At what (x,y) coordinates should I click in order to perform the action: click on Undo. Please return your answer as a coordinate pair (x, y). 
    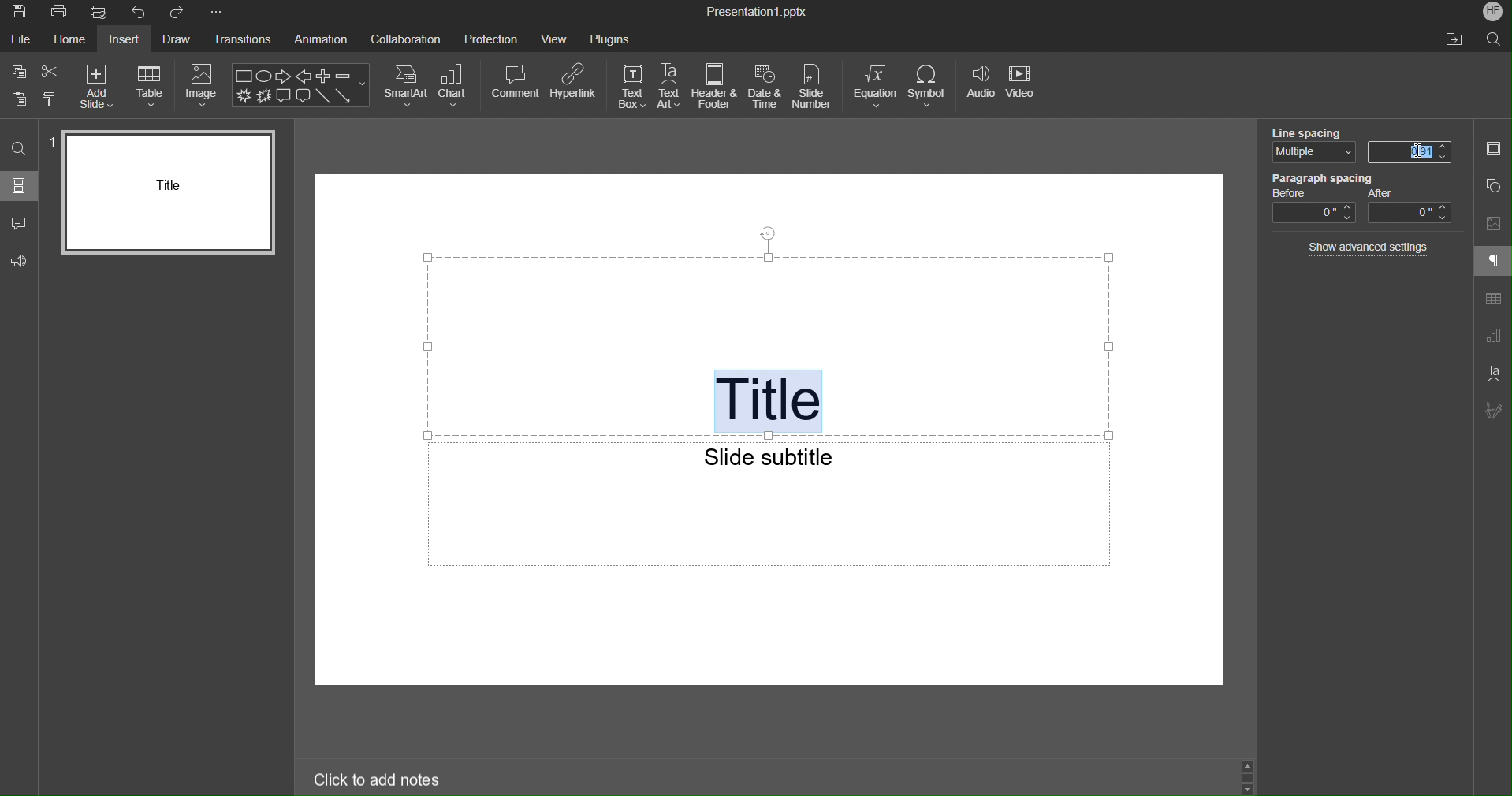
    Looking at the image, I should click on (140, 13).